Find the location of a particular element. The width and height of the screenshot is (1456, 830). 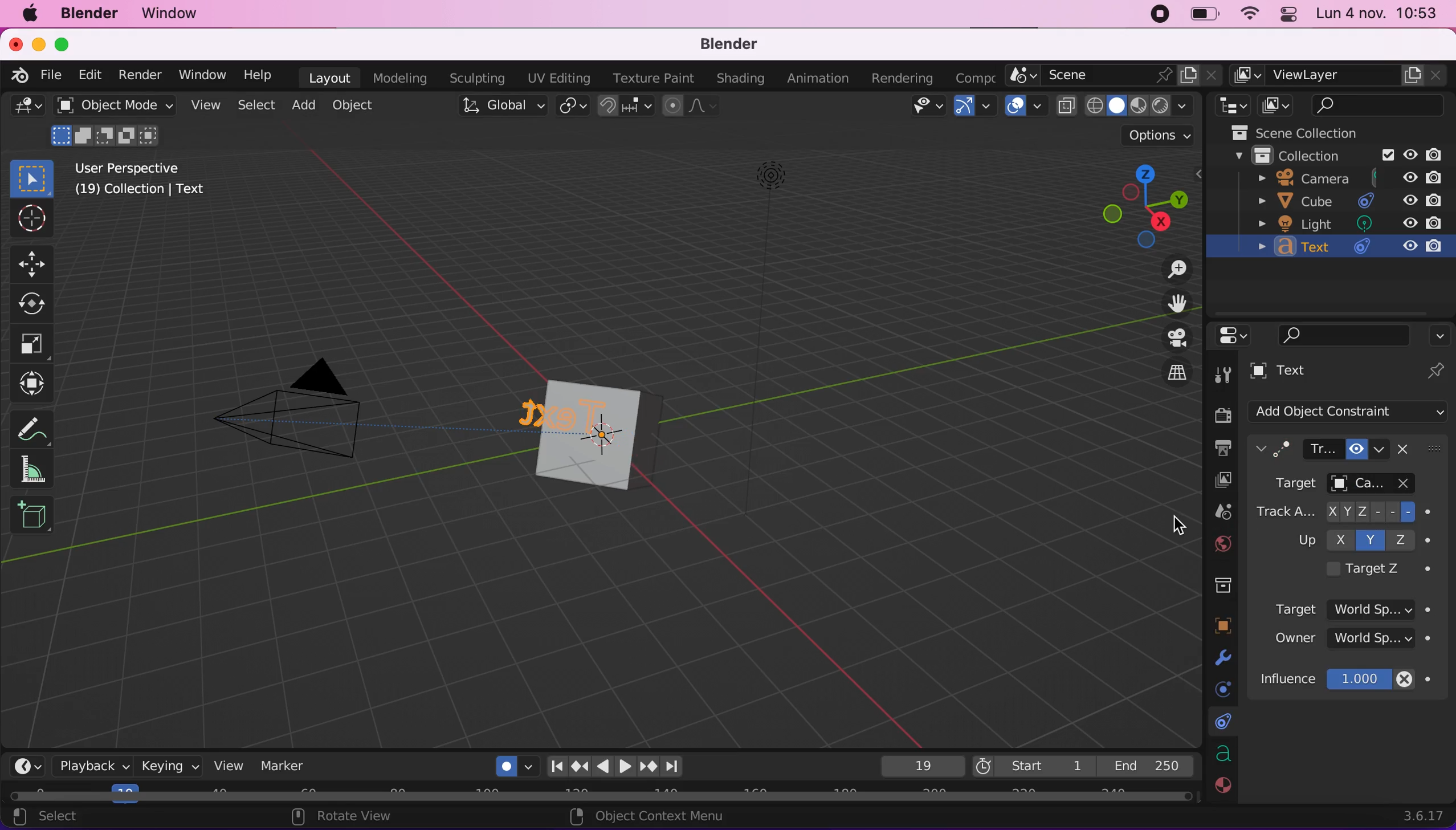

edit is located at coordinates (90, 75).